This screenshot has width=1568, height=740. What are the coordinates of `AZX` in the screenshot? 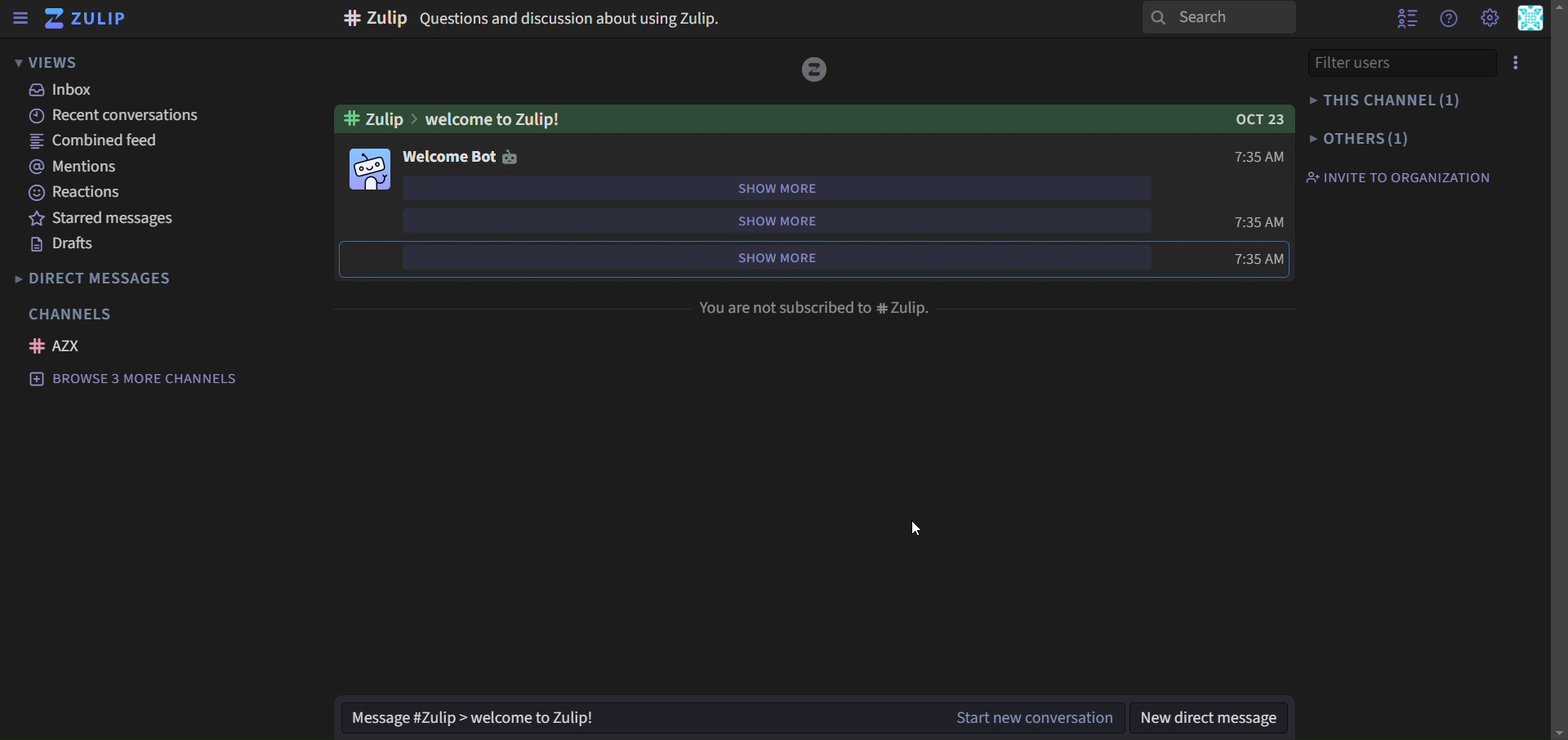 It's located at (58, 345).